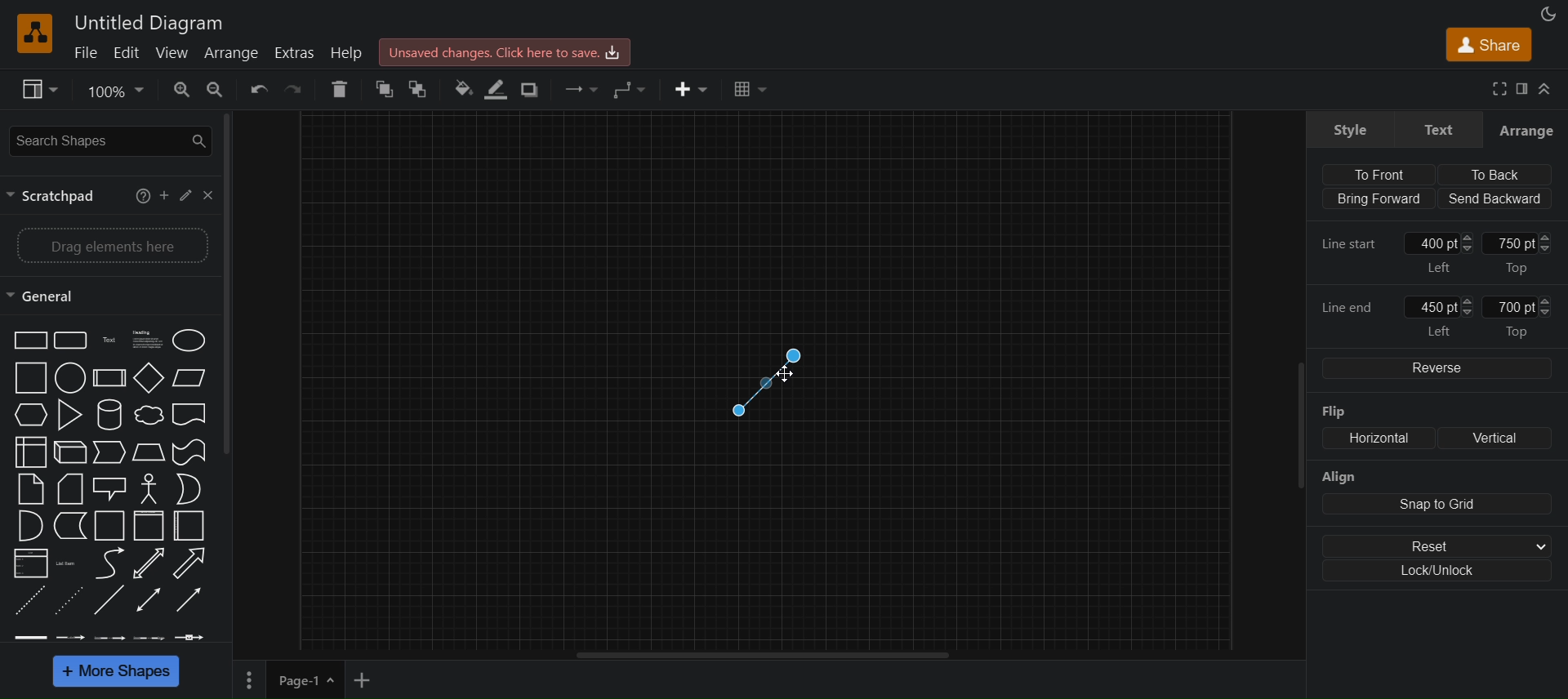  What do you see at coordinates (189, 377) in the screenshot?
I see `Parallelogram` at bounding box center [189, 377].